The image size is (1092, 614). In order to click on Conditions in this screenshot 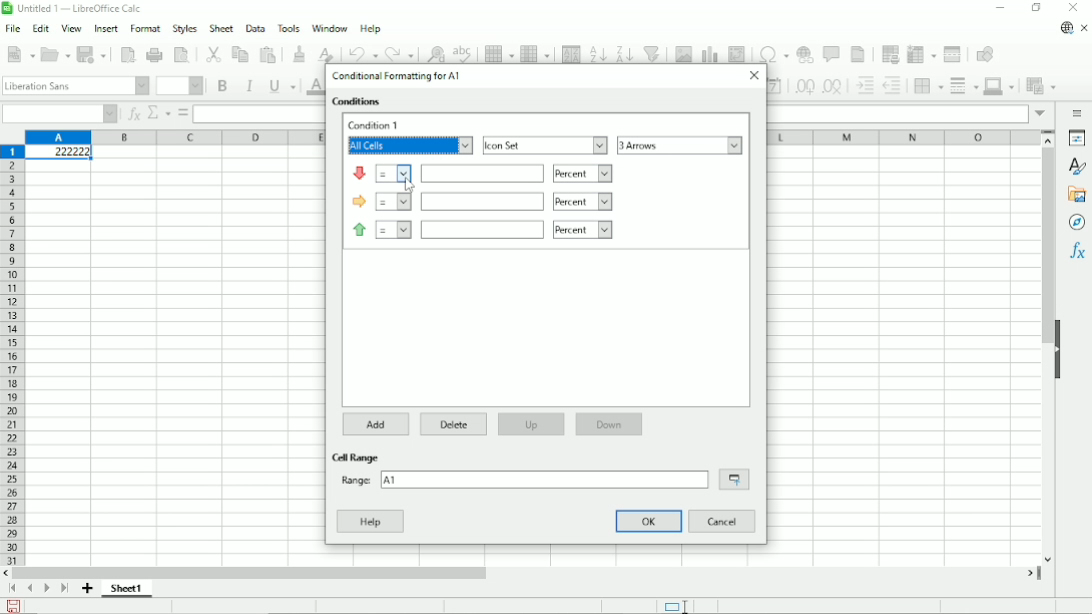, I will do `click(358, 102)`.